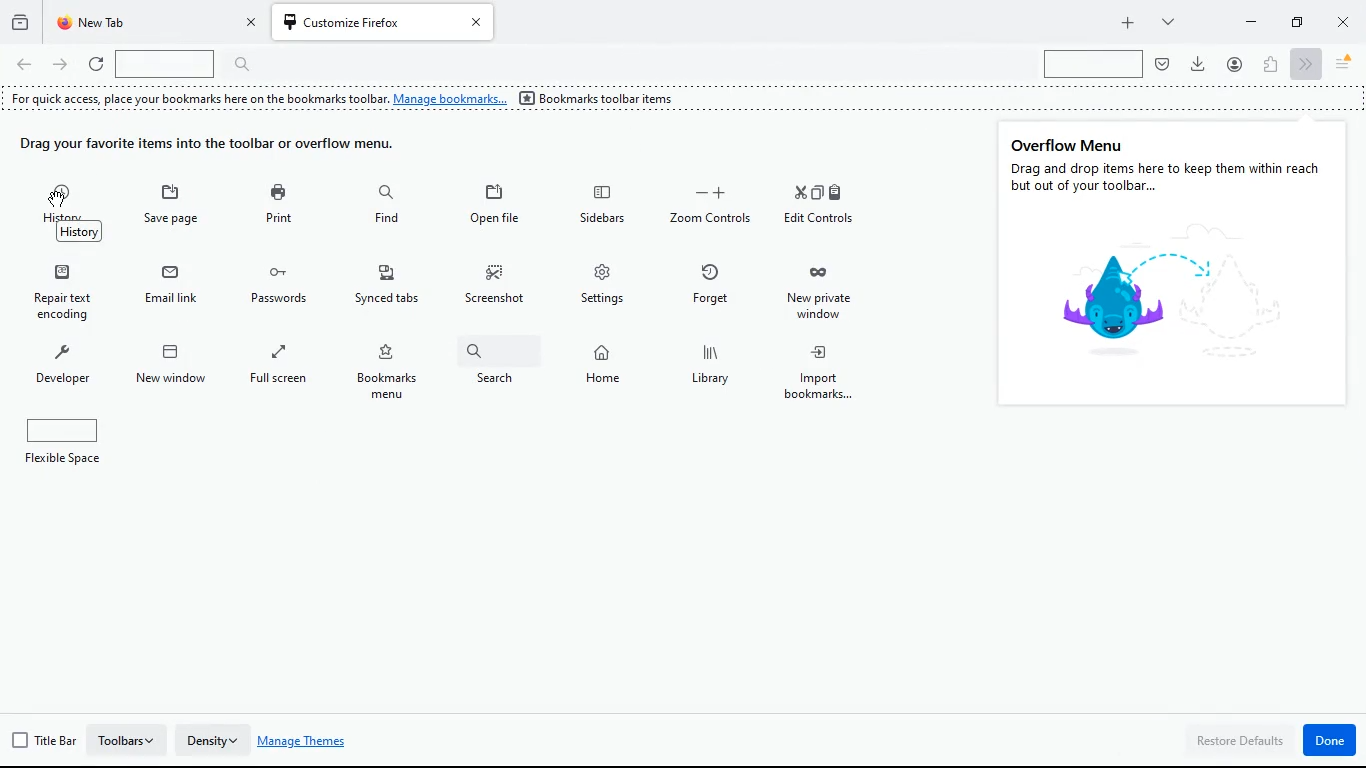  What do you see at coordinates (73, 443) in the screenshot?
I see `flexible space` at bounding box center [73, 443].